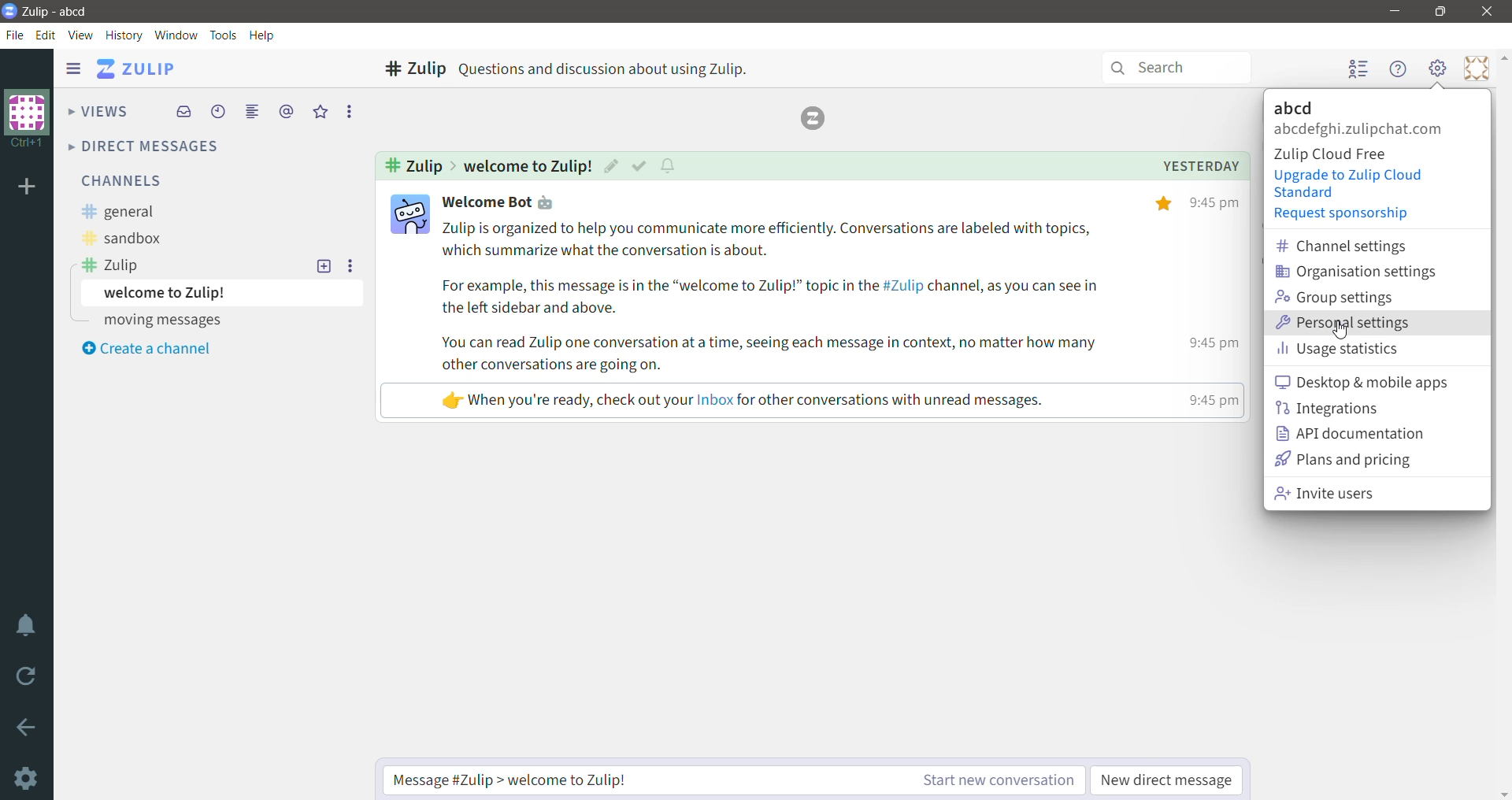  I want to click on Personal settings, so click(1378, 323).